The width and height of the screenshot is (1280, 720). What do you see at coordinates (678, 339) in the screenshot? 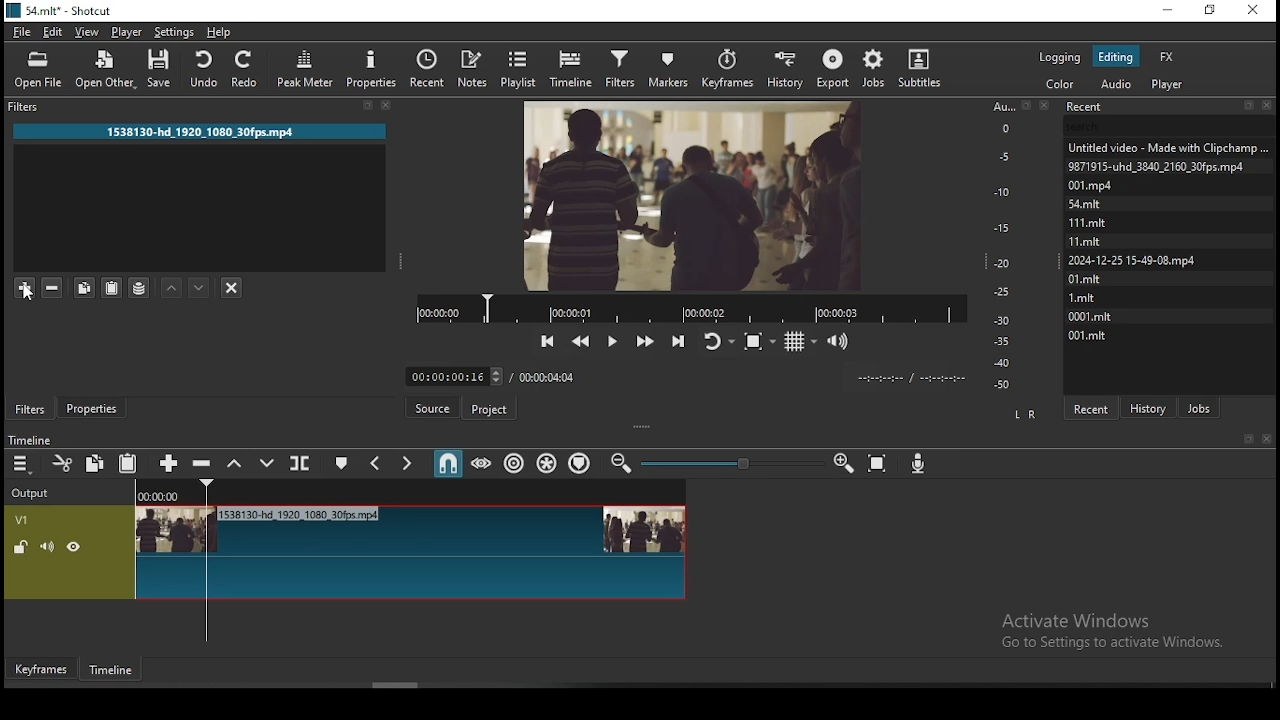
I see `skip to the next point` at bounding box center [678, 339].